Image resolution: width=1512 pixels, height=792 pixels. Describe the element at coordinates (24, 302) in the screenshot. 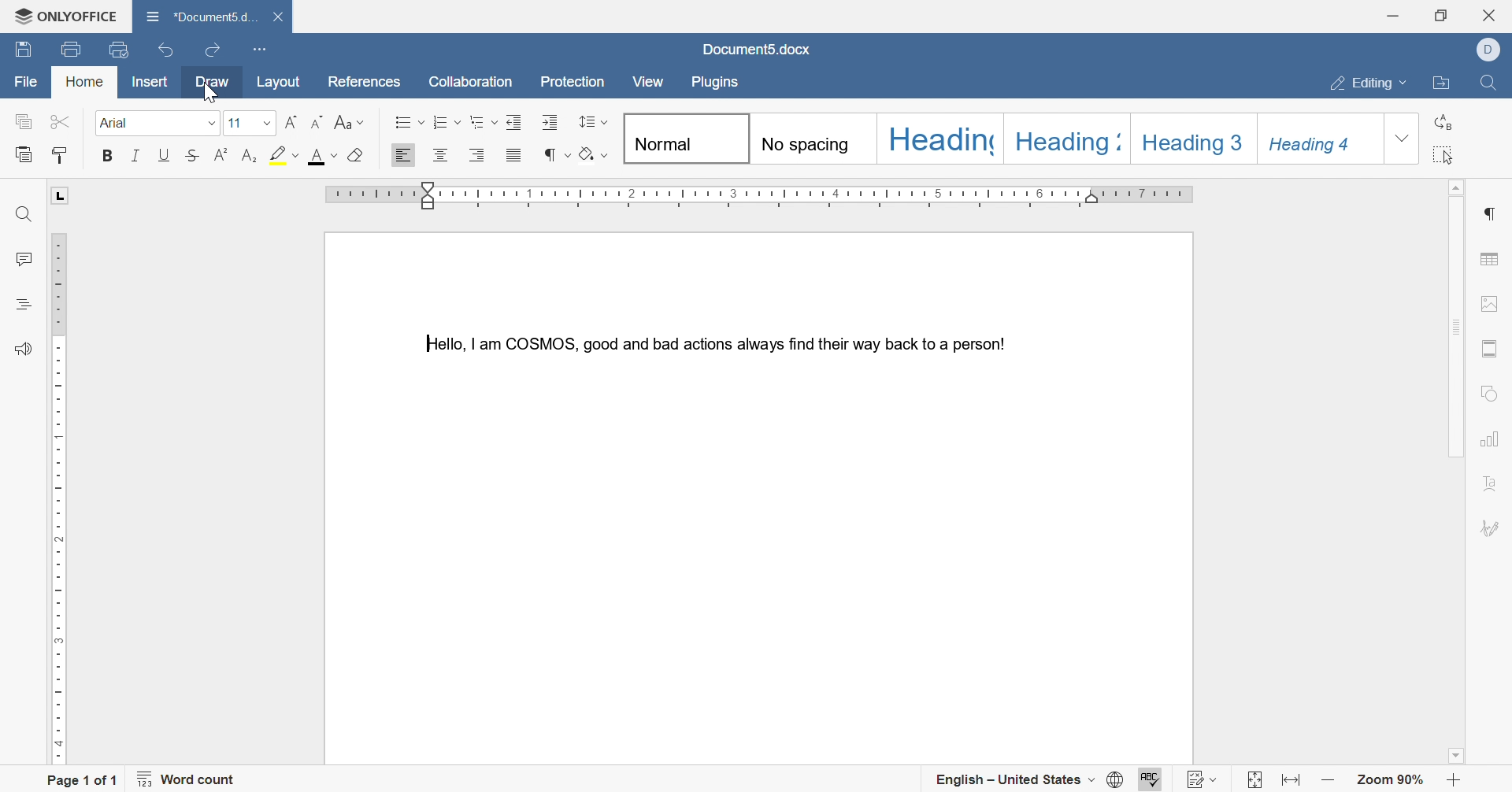

I see `headings` at that location.